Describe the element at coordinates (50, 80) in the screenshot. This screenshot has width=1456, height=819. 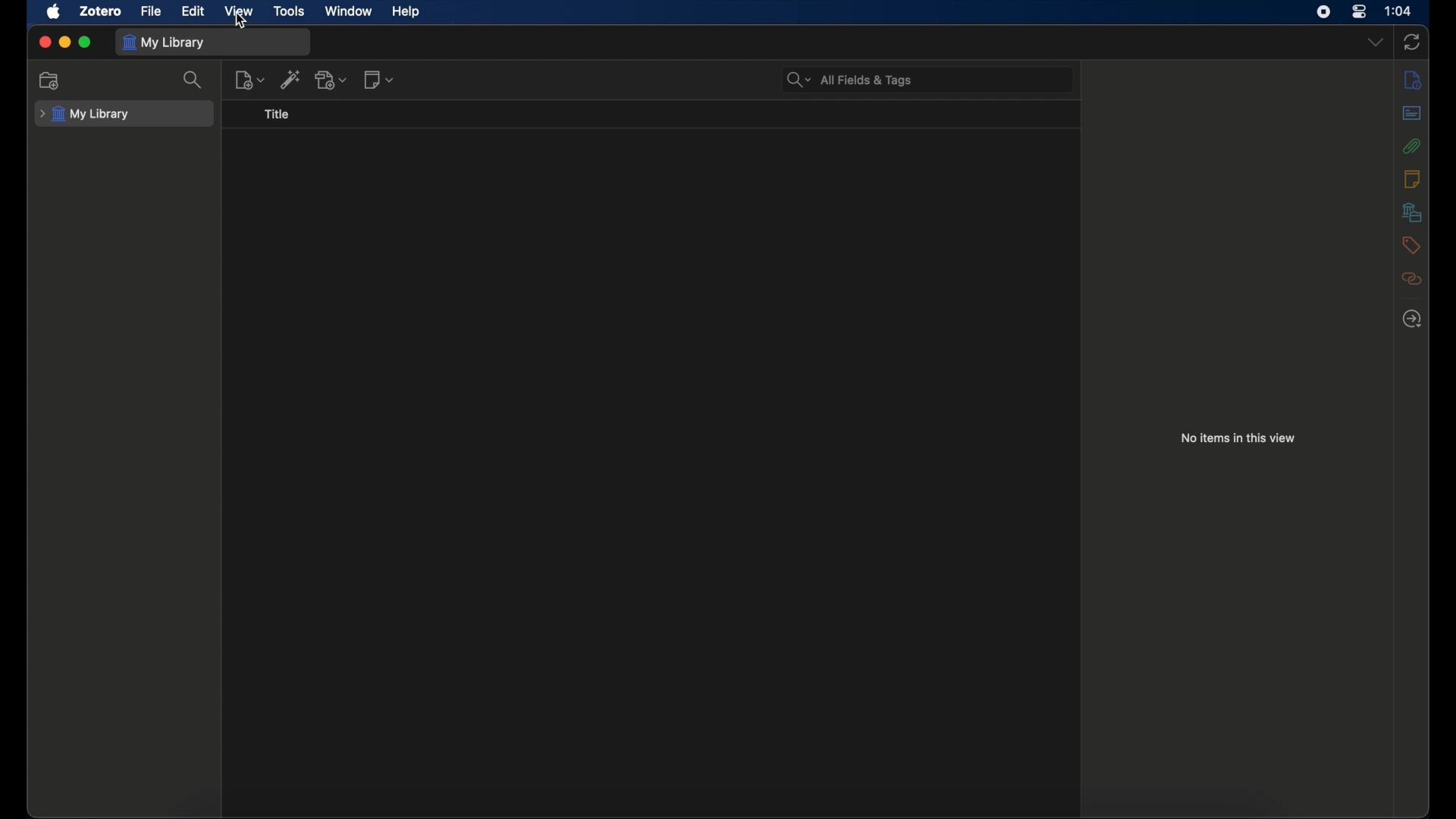
I see `new collections` at that location.